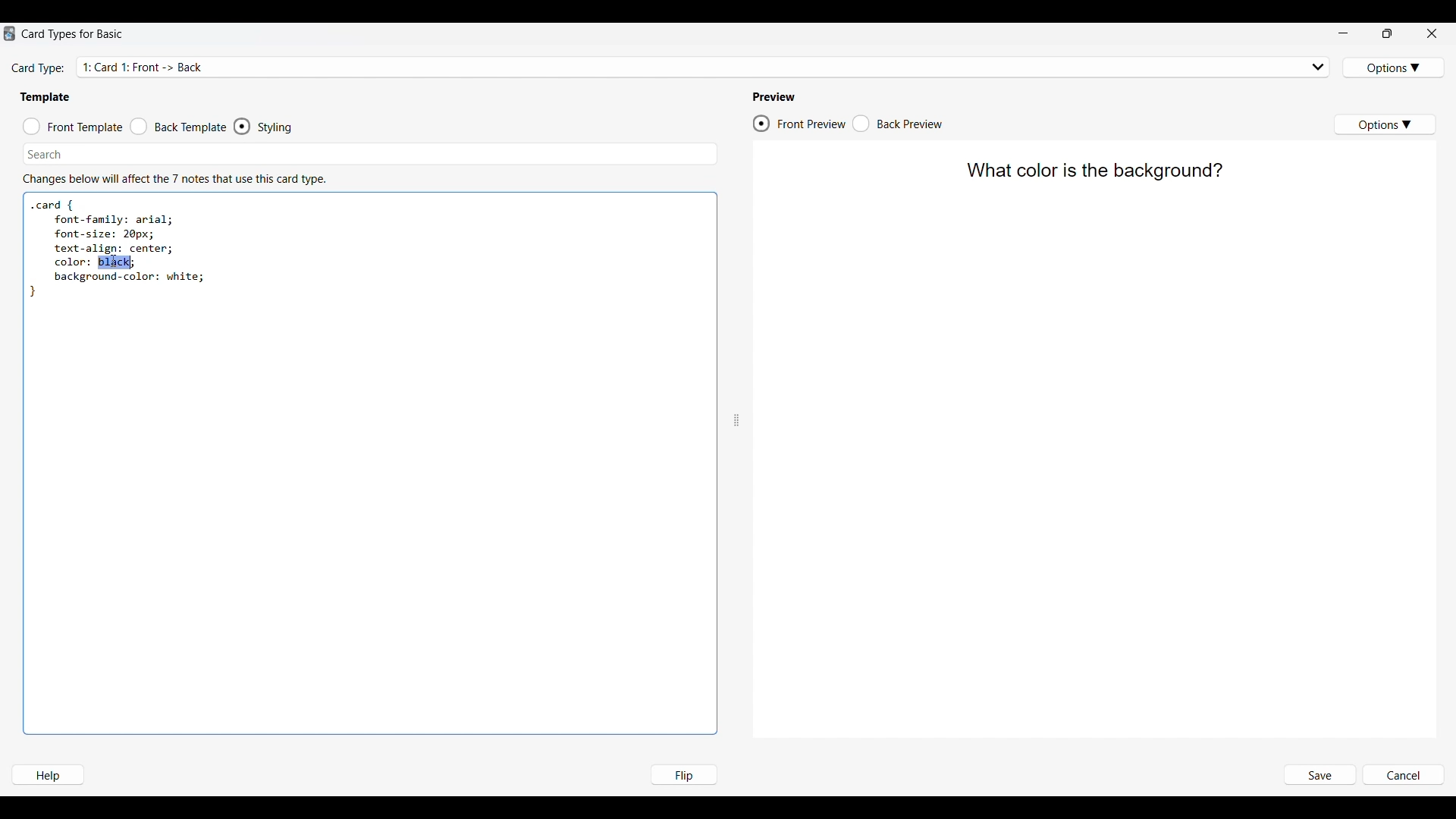  What do you see at coordinates (1388, 33) in the screenshot?
I see `Show interface in smaller tab` at bounding box center [1388, 33].